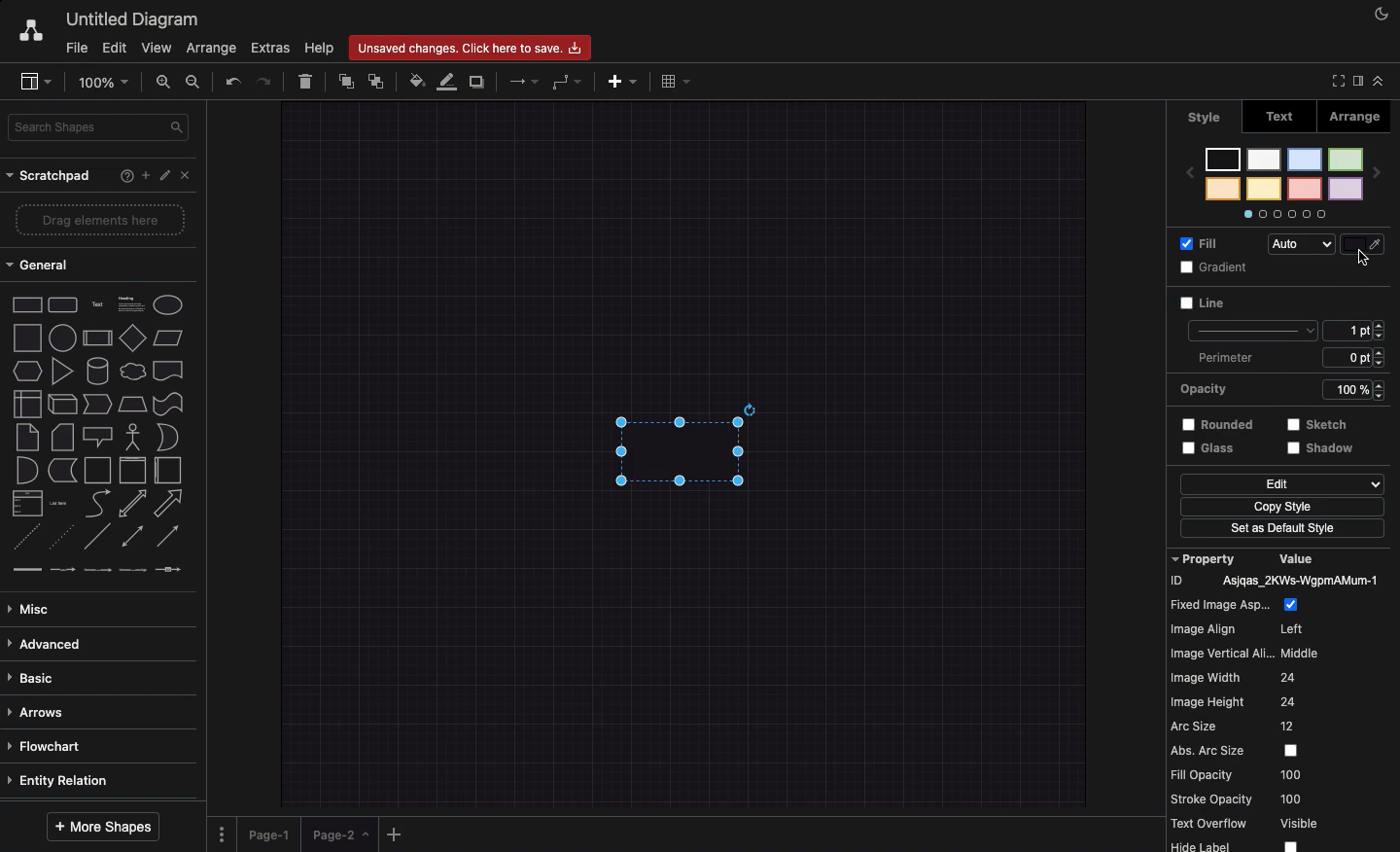  Describe the element at coordinates (96, 437) in the screenshot. I see `callout` at that location.